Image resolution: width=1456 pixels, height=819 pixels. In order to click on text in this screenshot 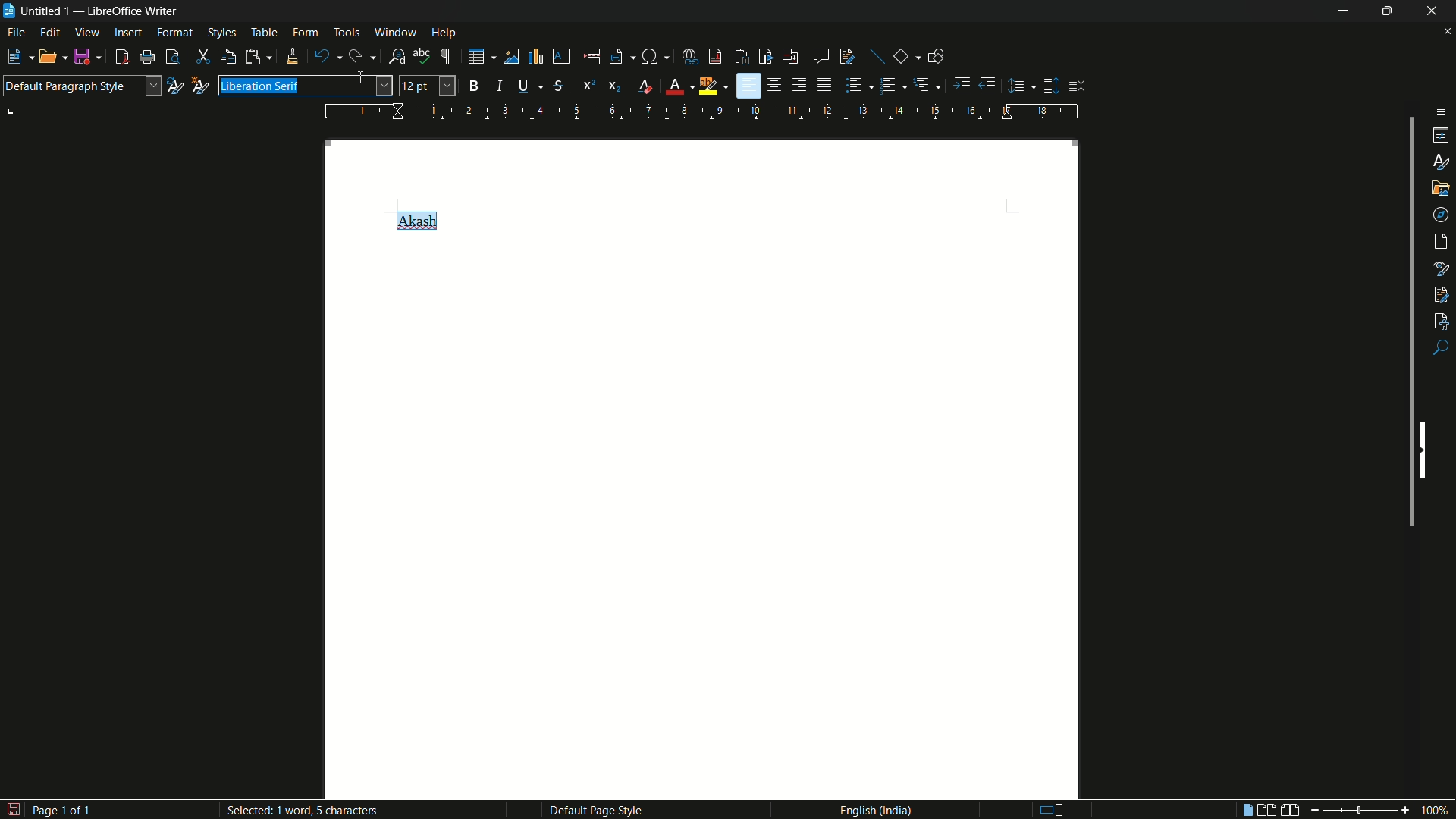, I will do `click(415, 219)`.